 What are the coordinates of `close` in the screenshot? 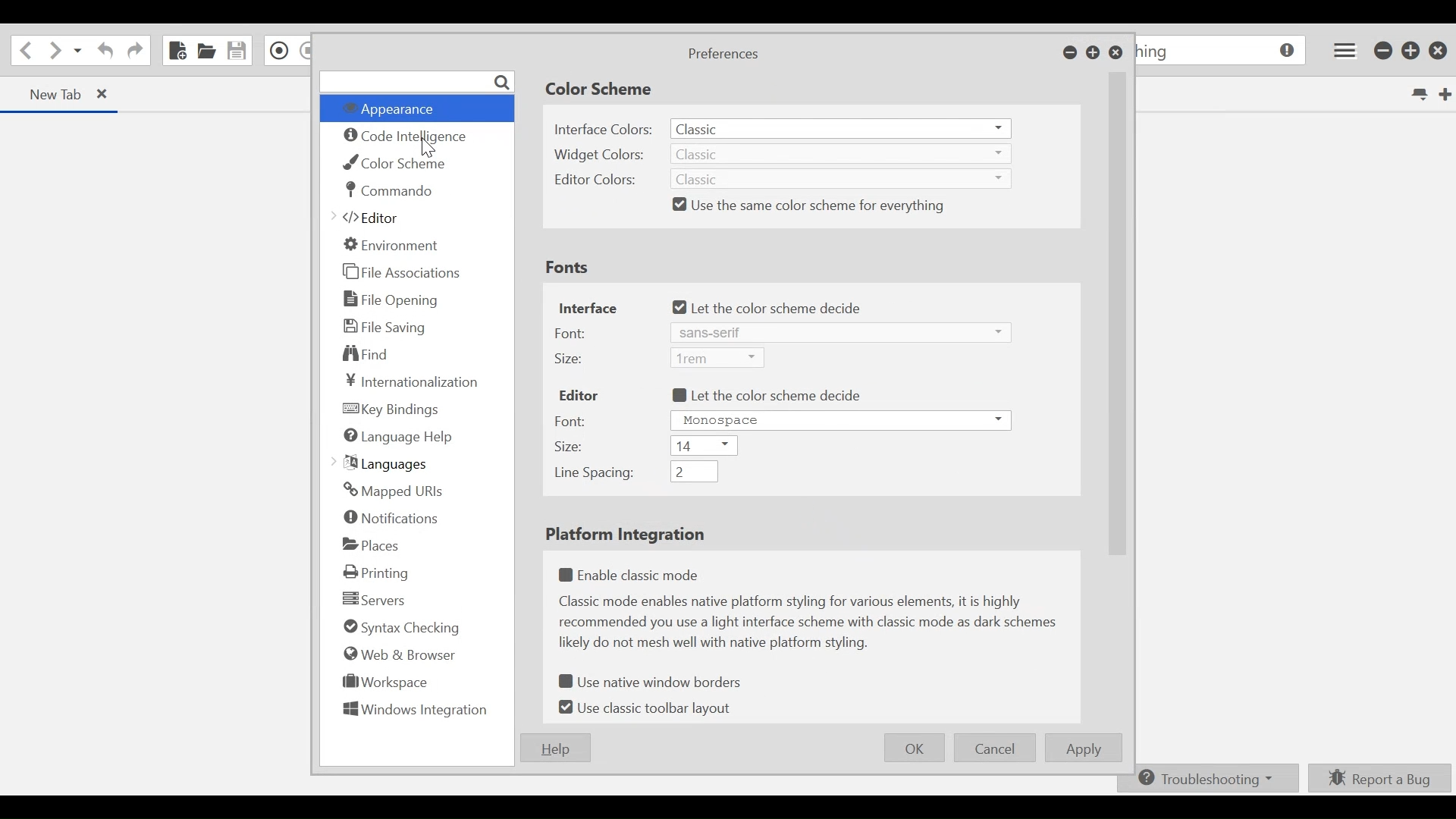 It's located at (110, 96).